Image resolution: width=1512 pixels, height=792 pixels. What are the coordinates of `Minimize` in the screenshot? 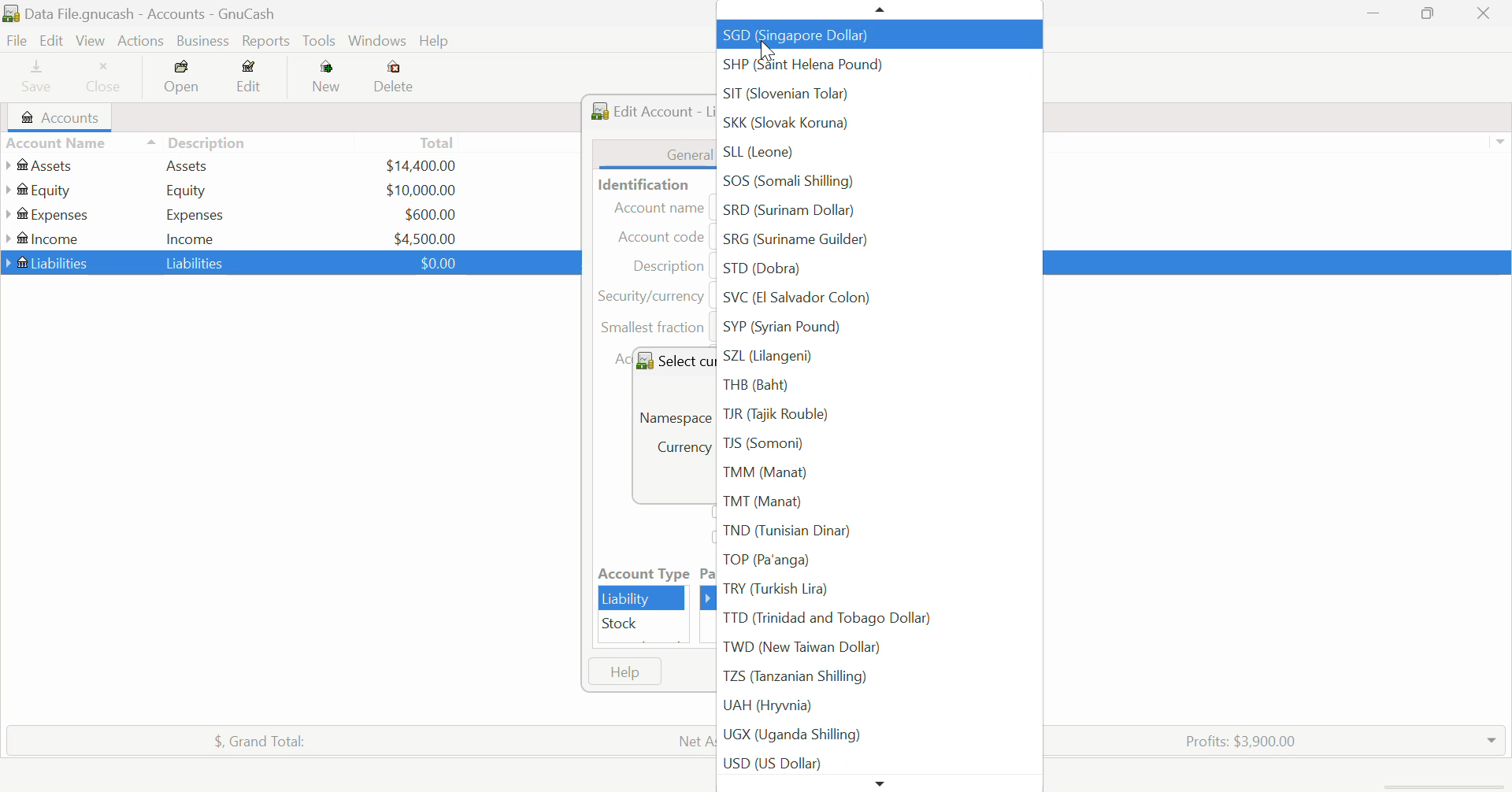 It's located at (1430, 15).